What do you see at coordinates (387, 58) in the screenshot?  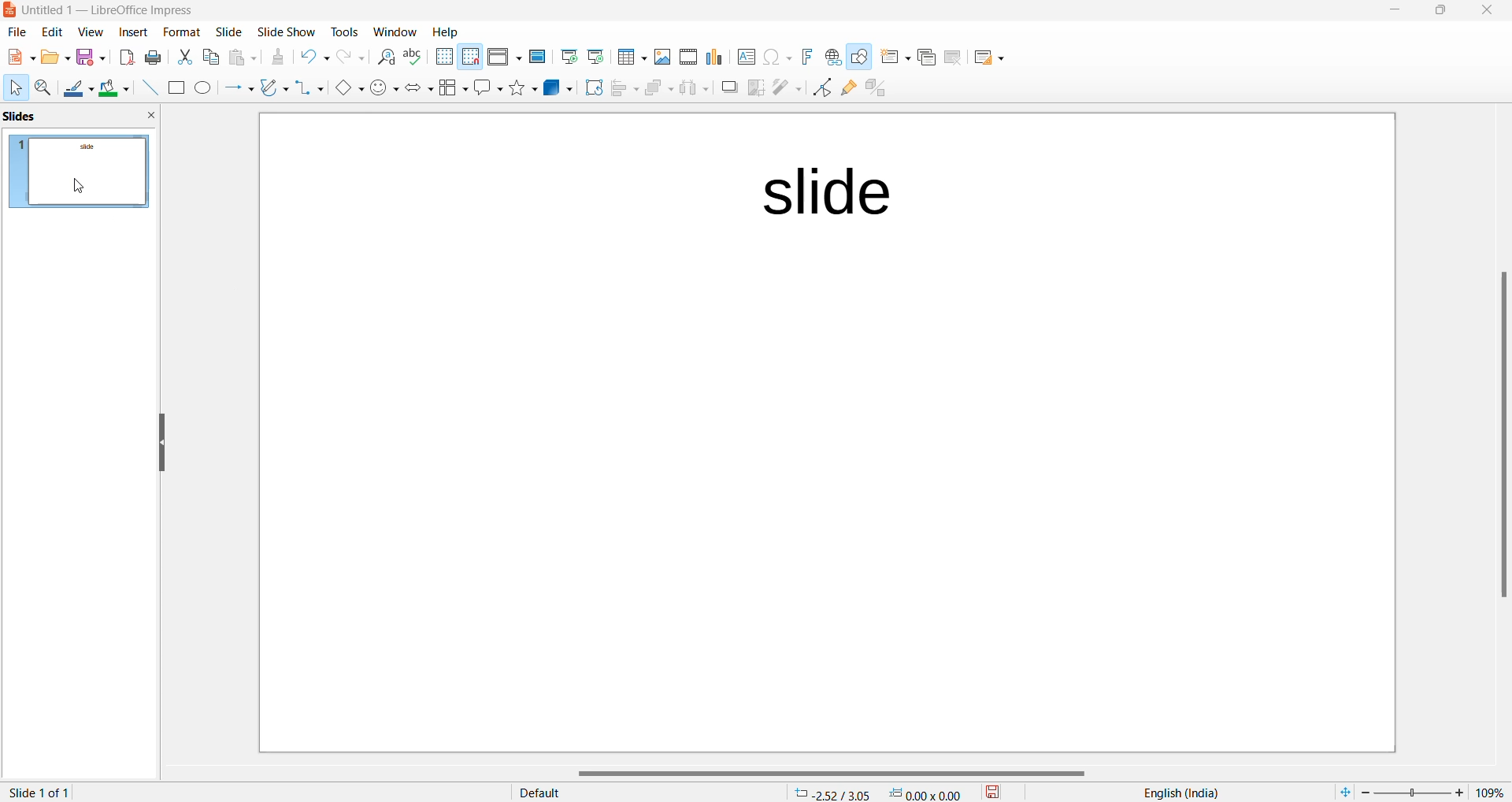 I see `find ` at bounding box center [387, 58].